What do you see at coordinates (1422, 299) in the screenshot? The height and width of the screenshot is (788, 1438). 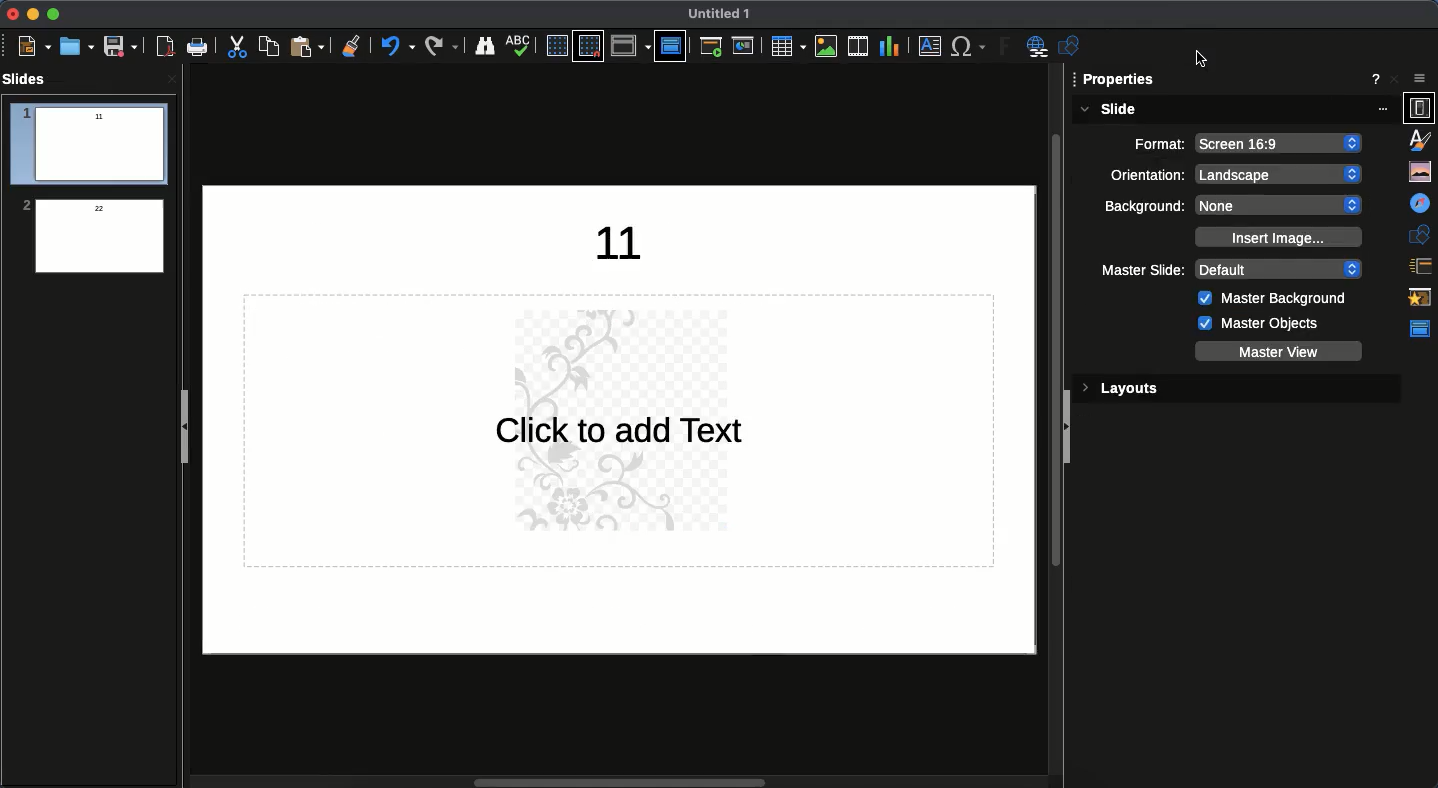 I see `Animation` at bounding box center [1422, 299].